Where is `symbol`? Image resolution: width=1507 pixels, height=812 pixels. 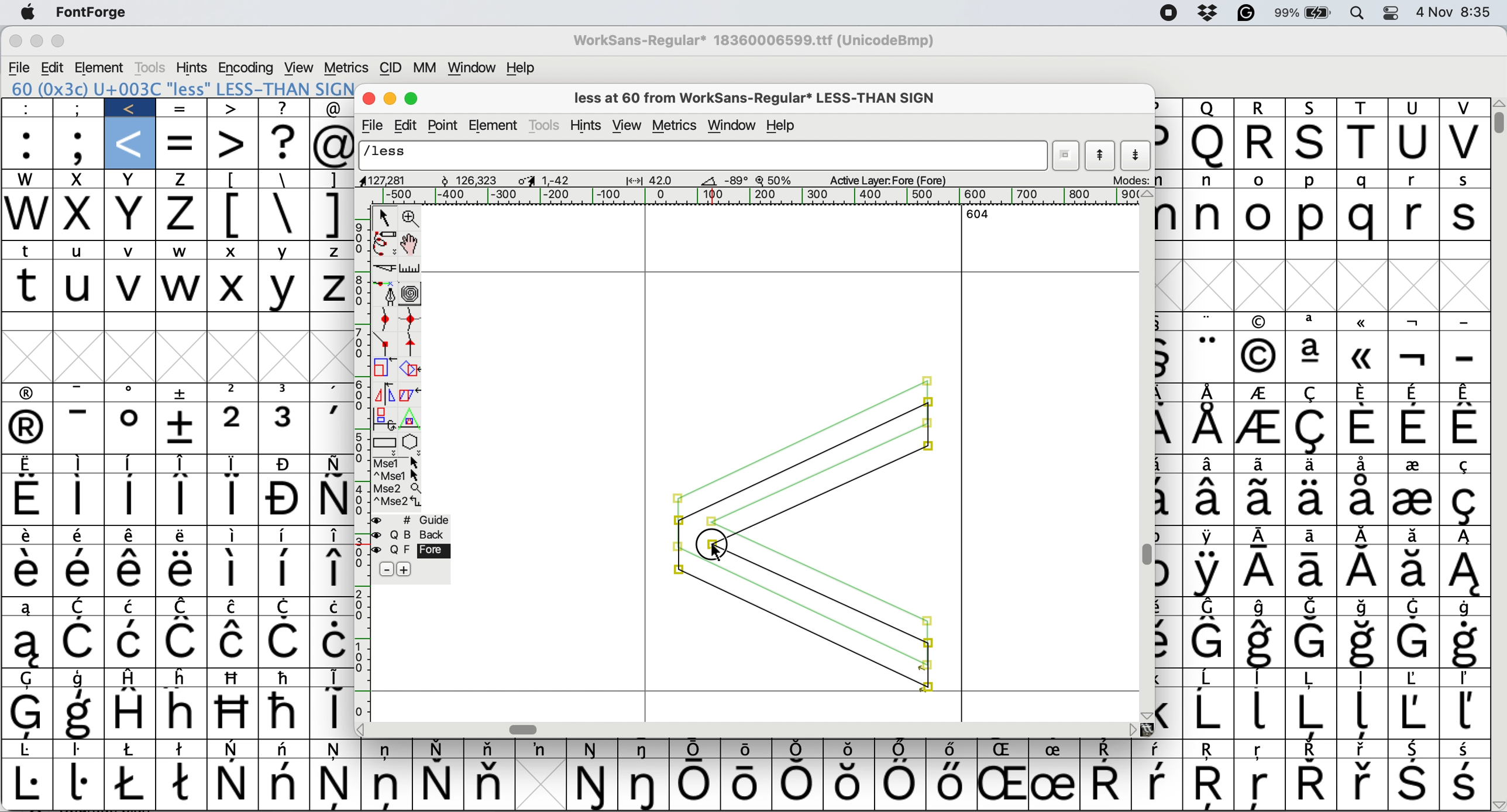 symbol is located at coordinates (81, 605).